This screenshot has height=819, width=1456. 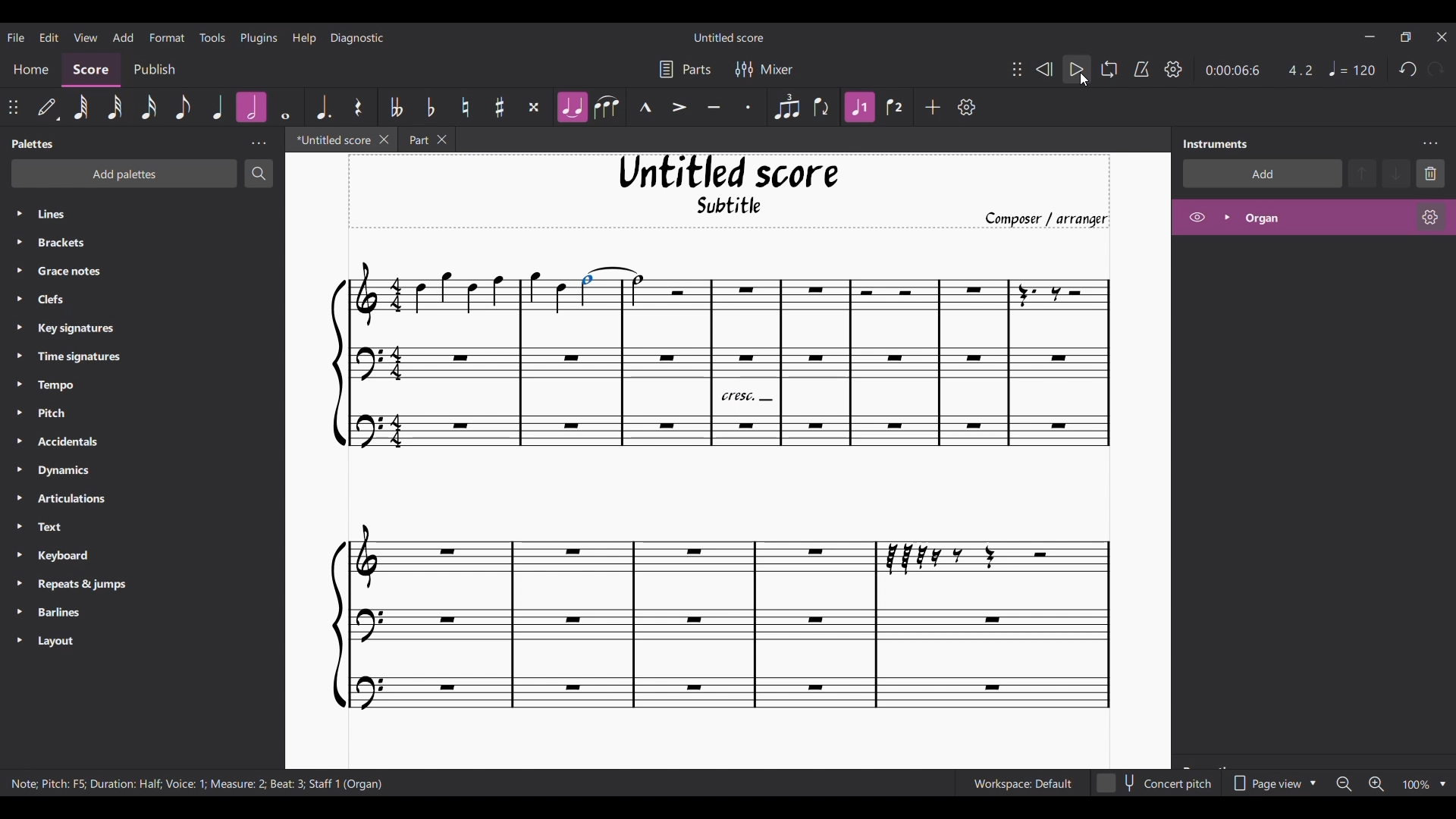 I want to click on 32nd note, so click(x=115, y=107).